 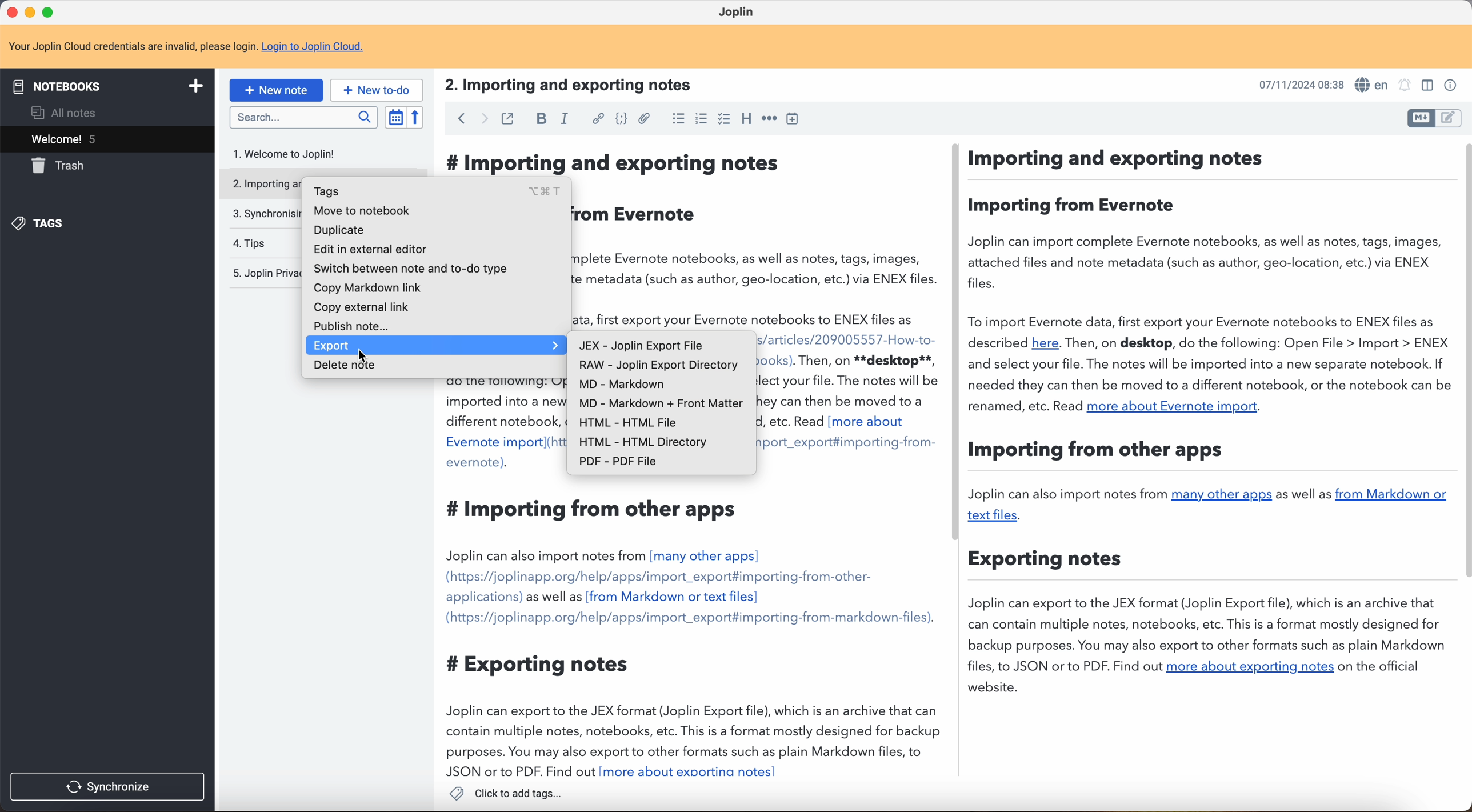 I want to click on new to-do, so click(x=378, y=90).